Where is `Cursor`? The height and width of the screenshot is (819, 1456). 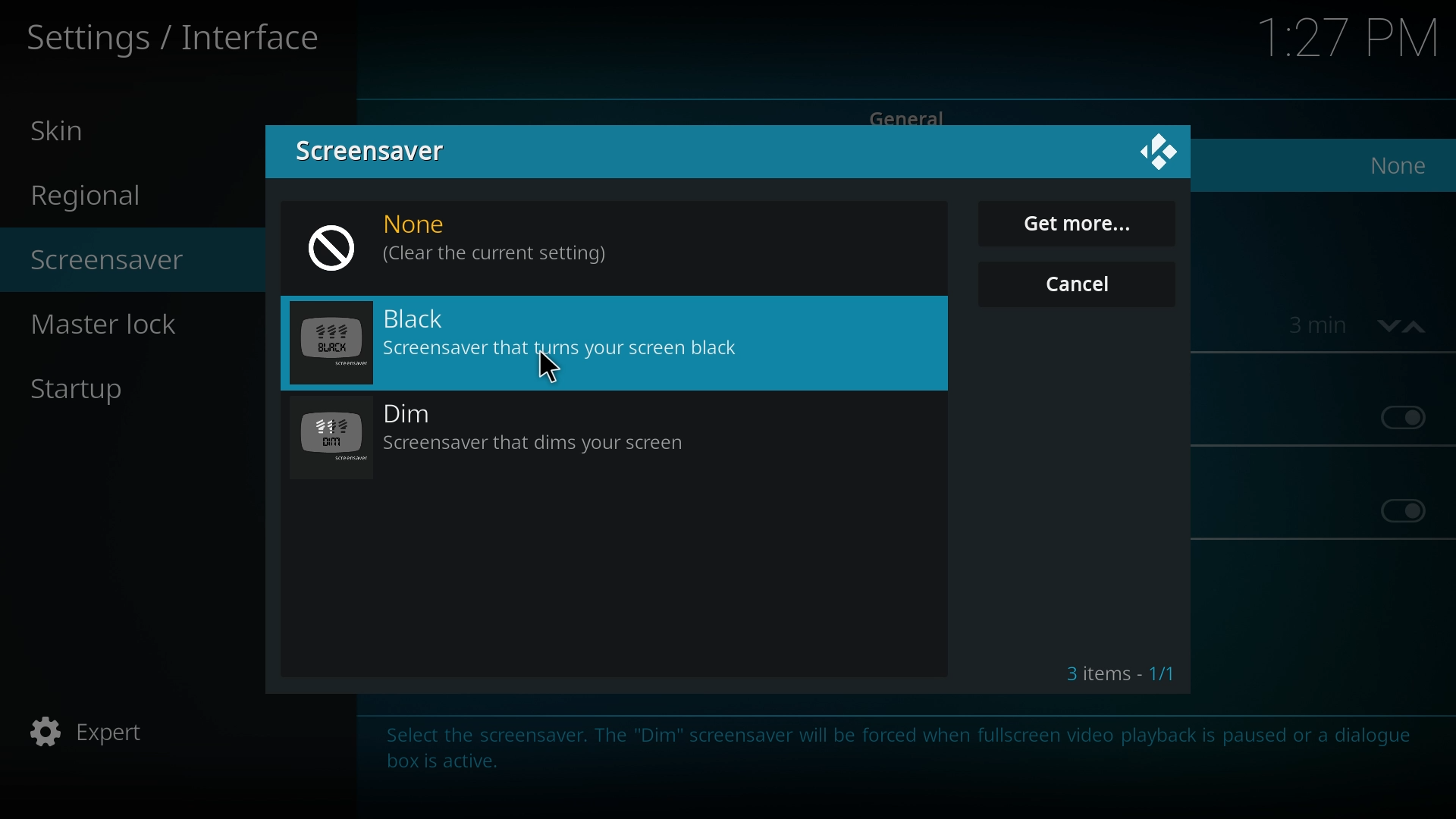 Cursor is located at coordinates (549, 365).